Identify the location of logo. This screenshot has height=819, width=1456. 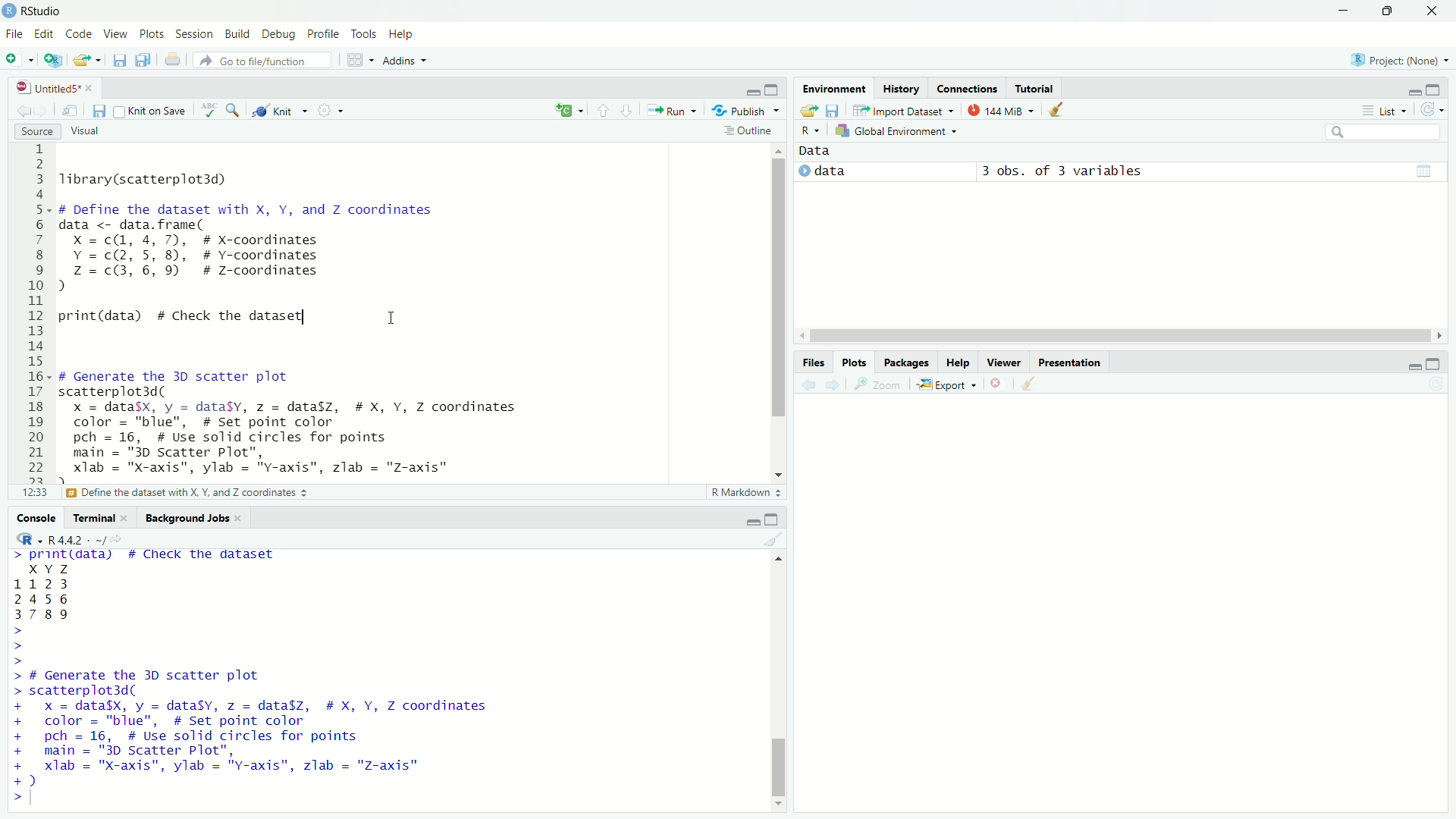
(9, 9).